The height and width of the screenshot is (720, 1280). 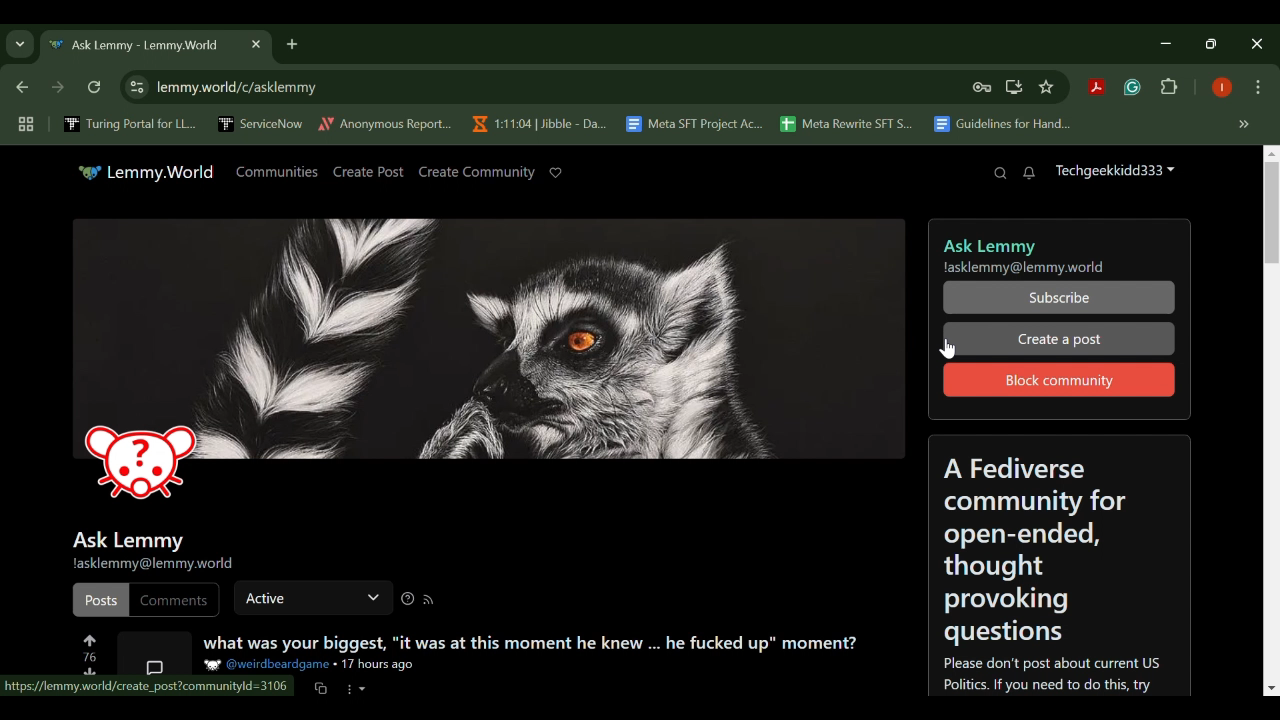 What do you see at coordinates (556, 173) in the screenshot?
I see `Donate to Lemmy` at bounding box center [556, 173].